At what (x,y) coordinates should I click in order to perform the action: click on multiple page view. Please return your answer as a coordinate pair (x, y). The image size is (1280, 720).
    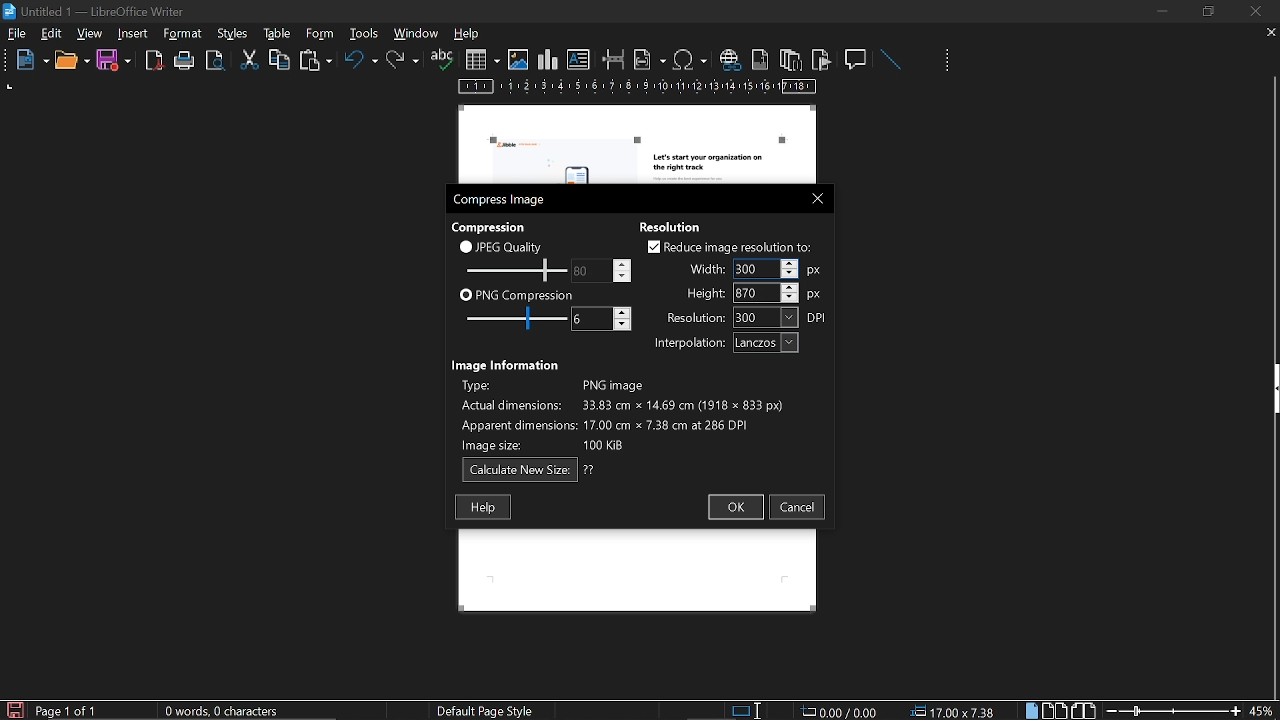
    Looking at the image, I should click on (1055, 711).